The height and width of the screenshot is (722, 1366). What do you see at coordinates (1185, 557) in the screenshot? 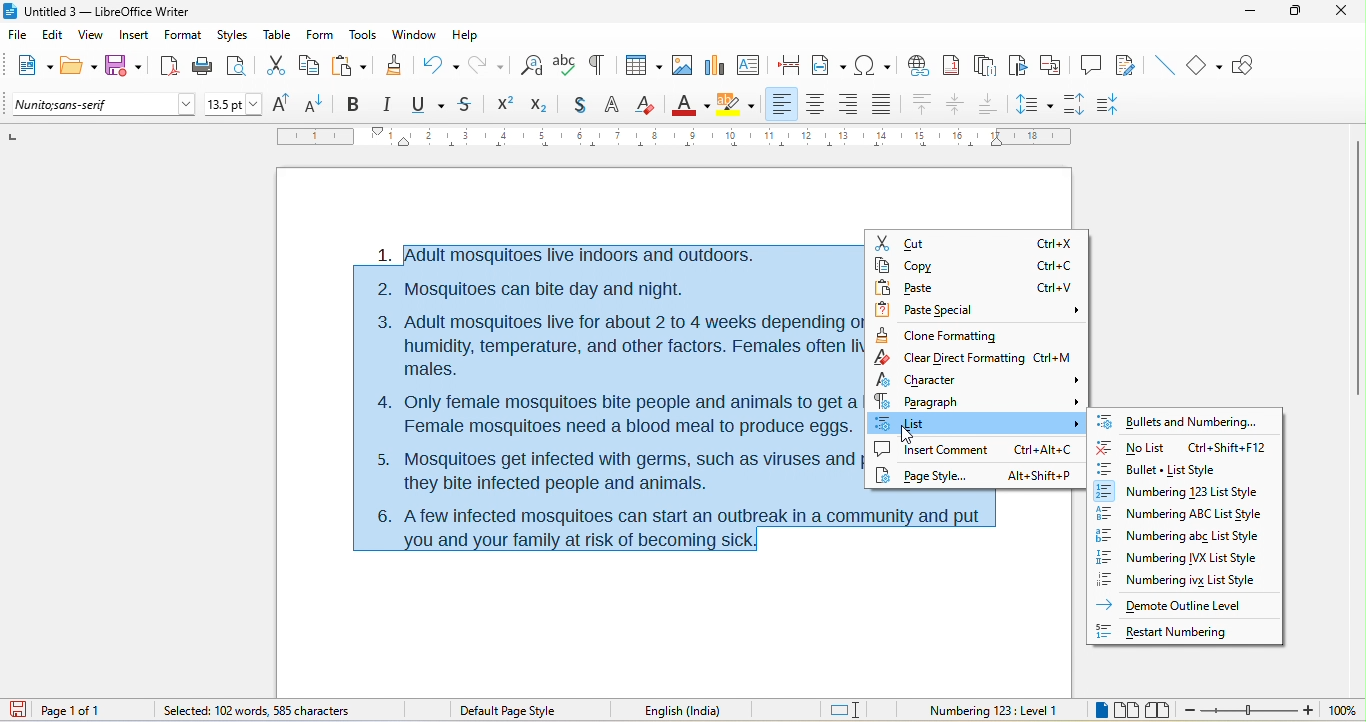
I see `numbering ivx list style` at bounding box center [1185, 557].